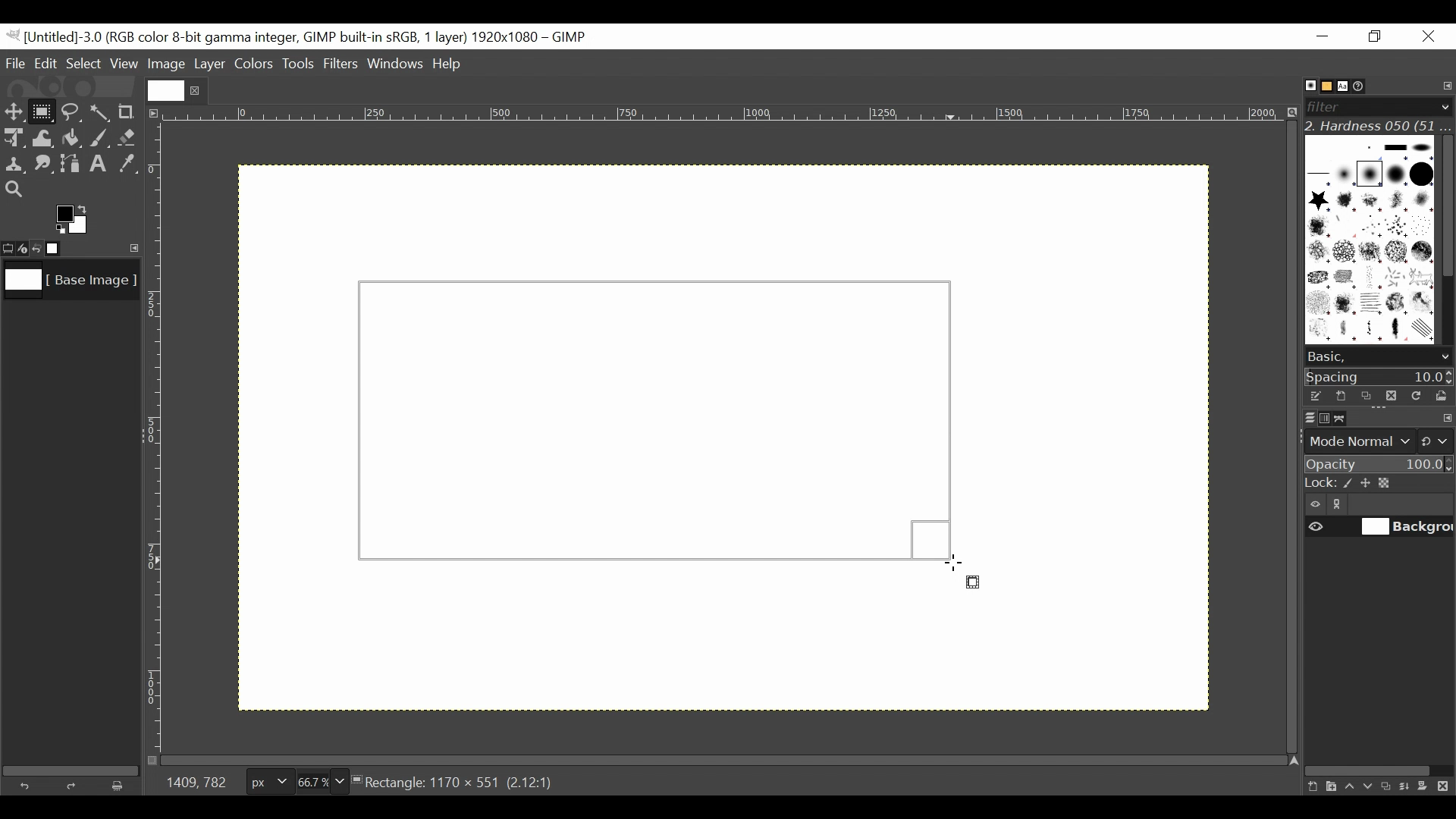 The height and width of the screenshot is (819, 1456). I want to click on Lock, so click(1378, 484).